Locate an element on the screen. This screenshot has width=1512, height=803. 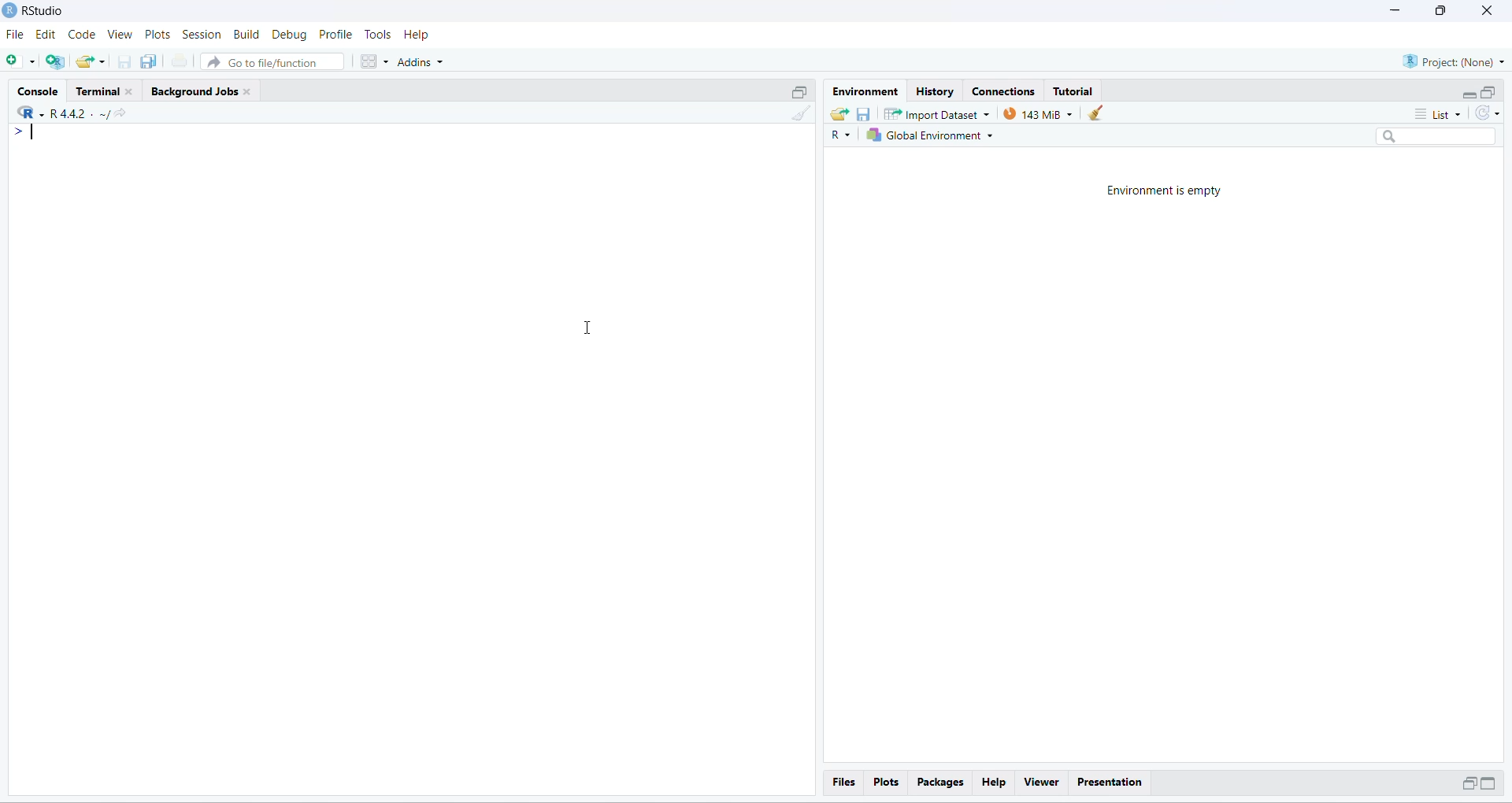
Expand/collapse is located at coordinates (1468, 94).